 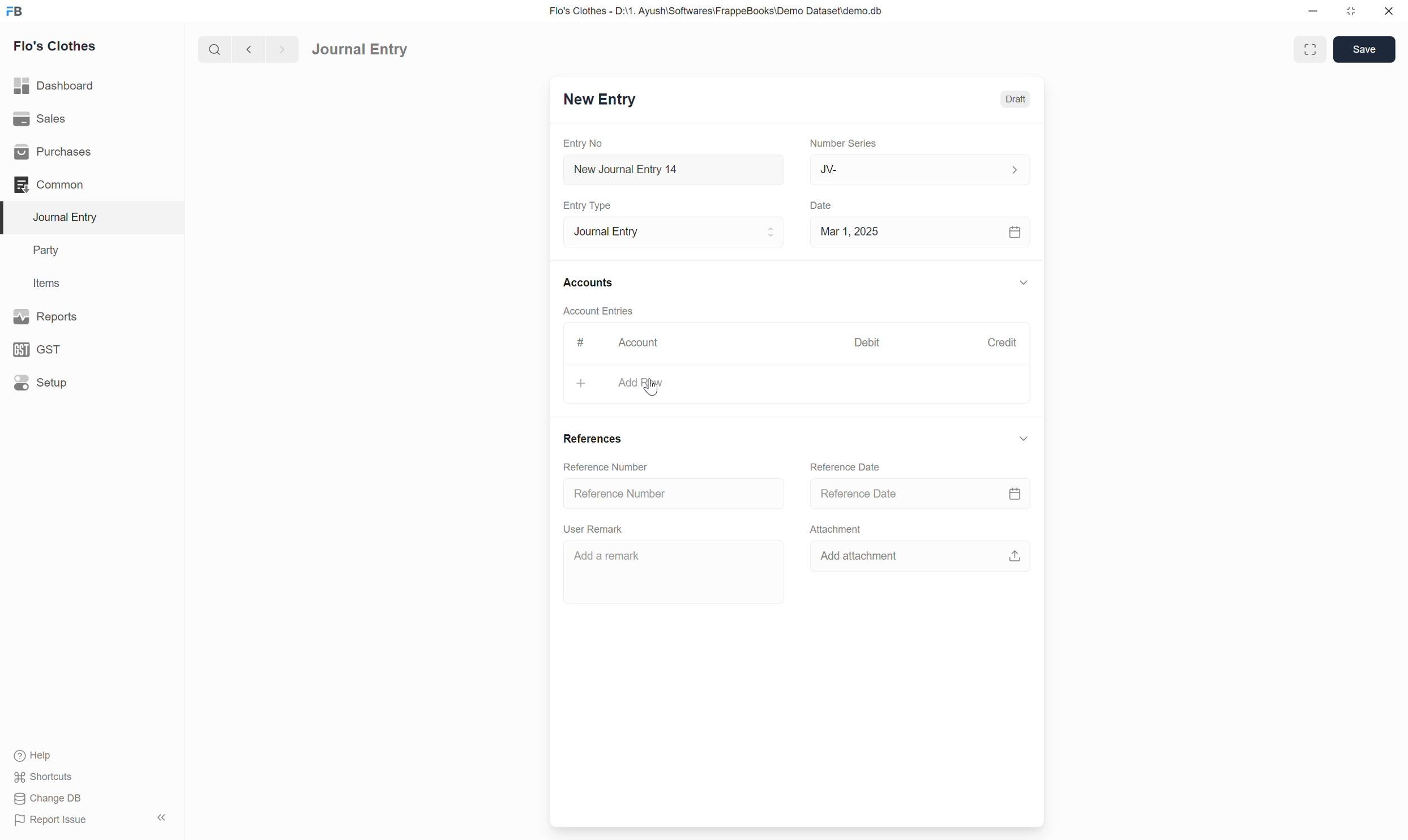 I want to click on Date, so click(x=824, y=206).